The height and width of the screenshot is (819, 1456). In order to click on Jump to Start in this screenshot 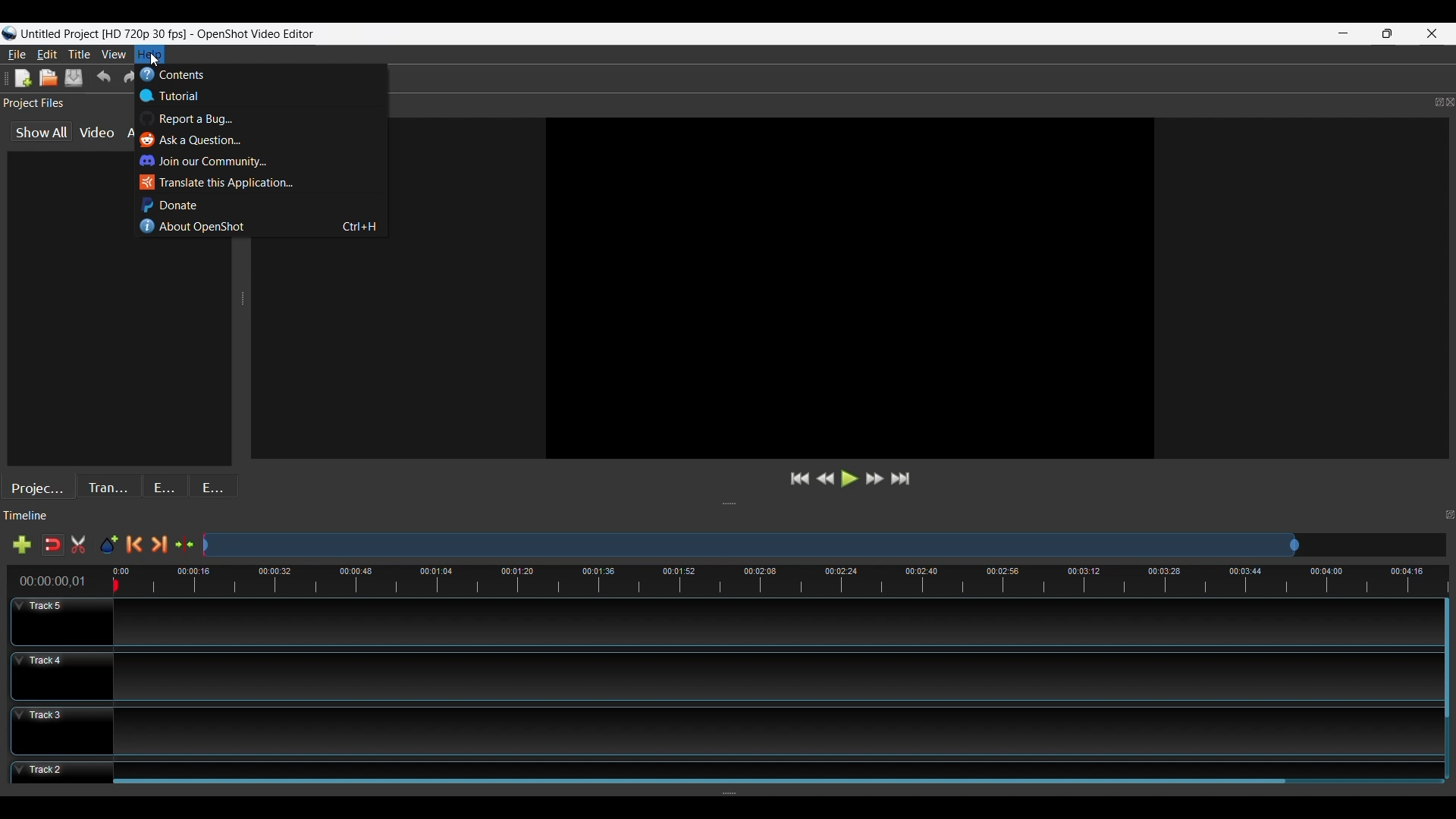, I will do `click(799, 479)`.